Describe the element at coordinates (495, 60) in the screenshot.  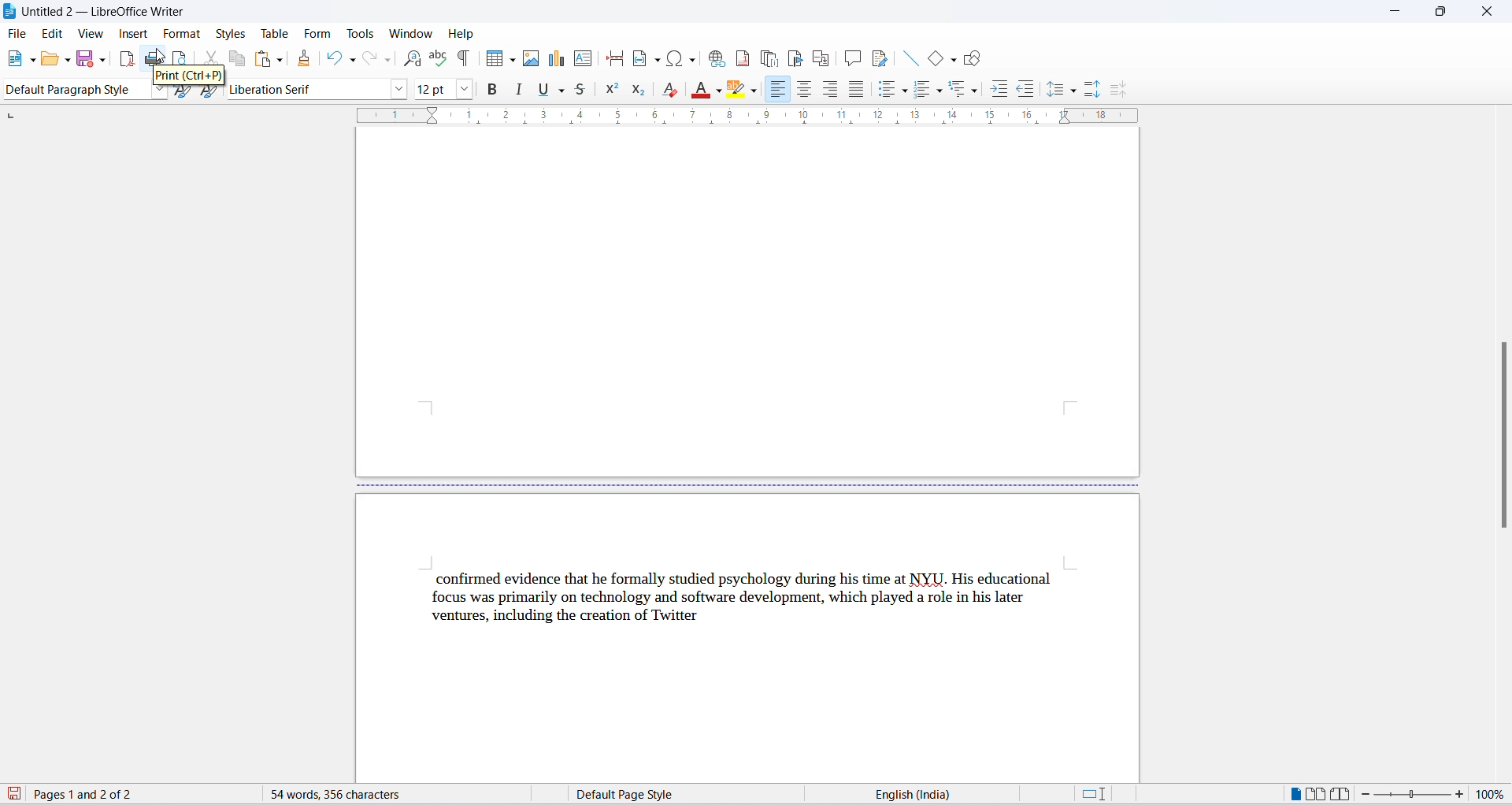
I see `insert table` at that location.